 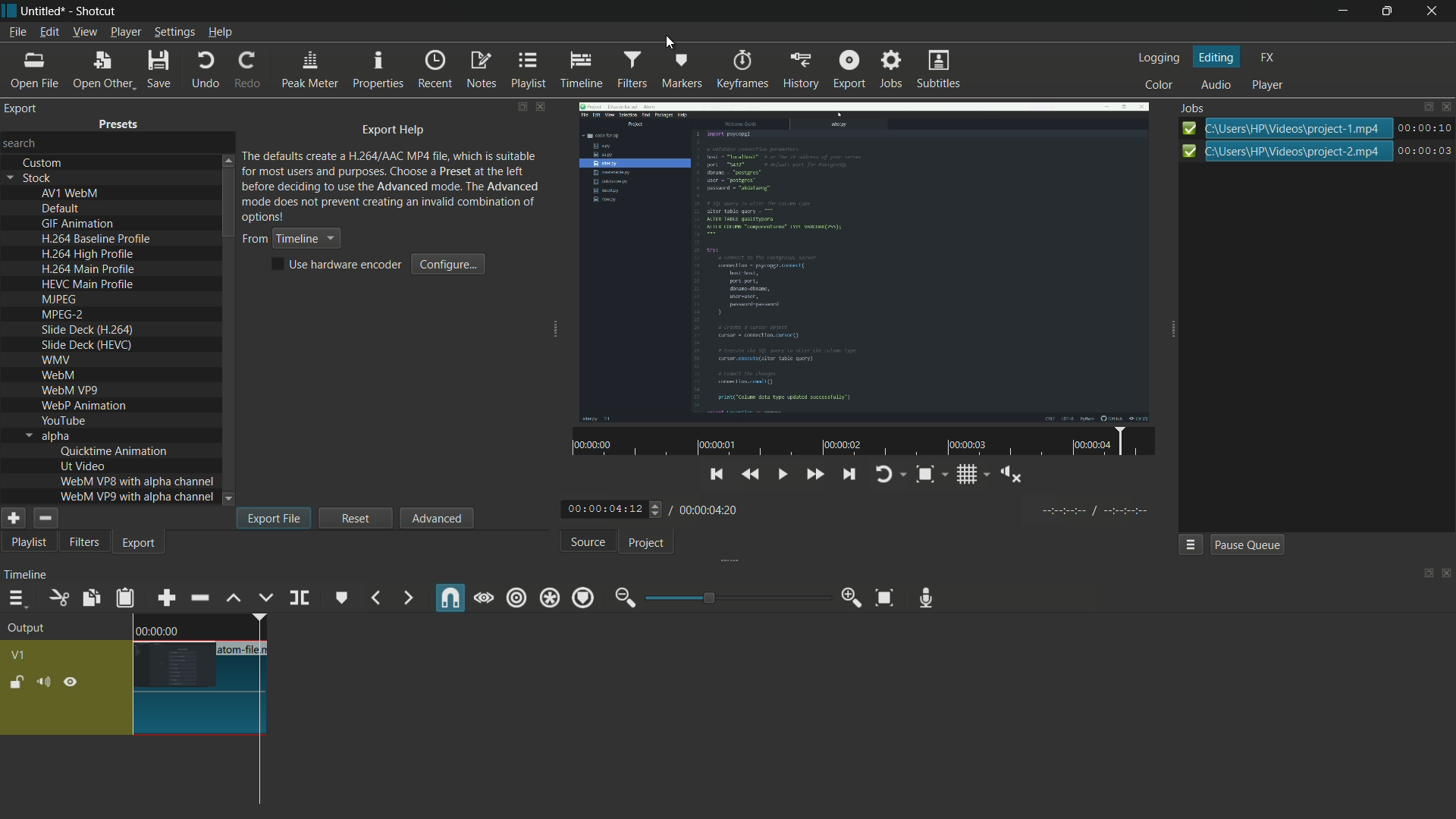 I want to click on webm vp8 with alpha channel, so click(x=137, y=481).